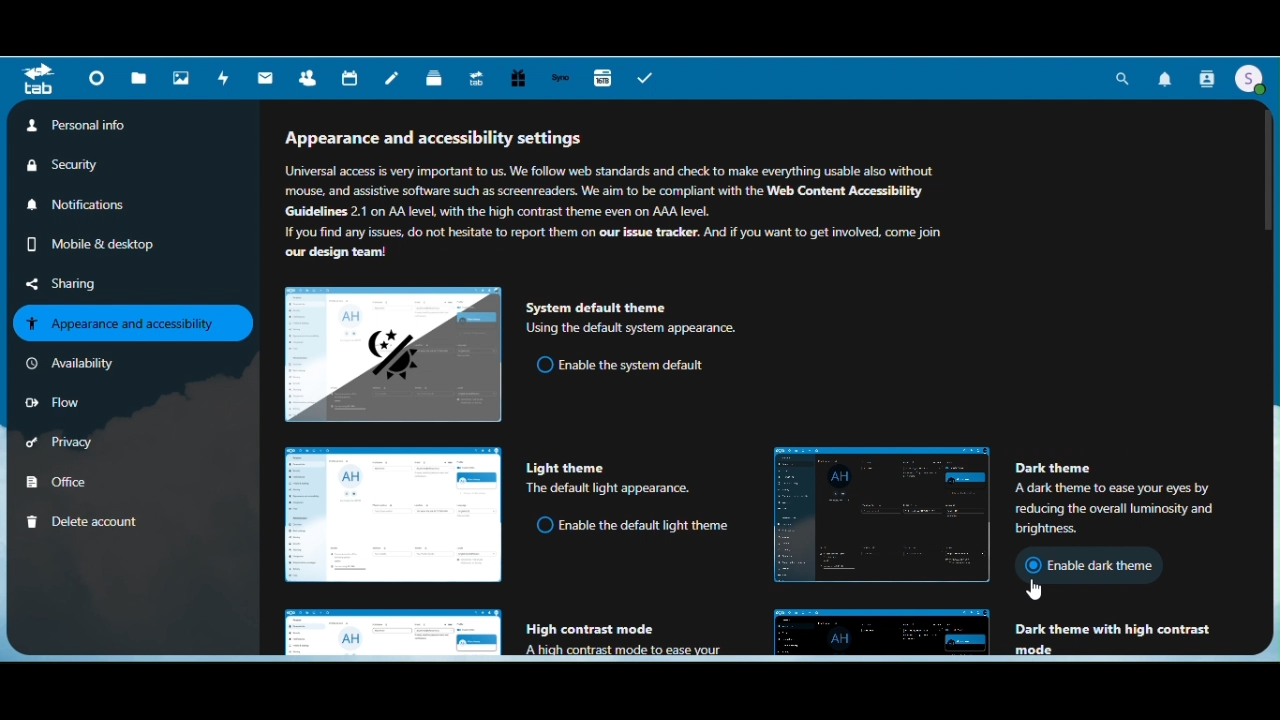  I want to click on Photos, so click(181, 79).